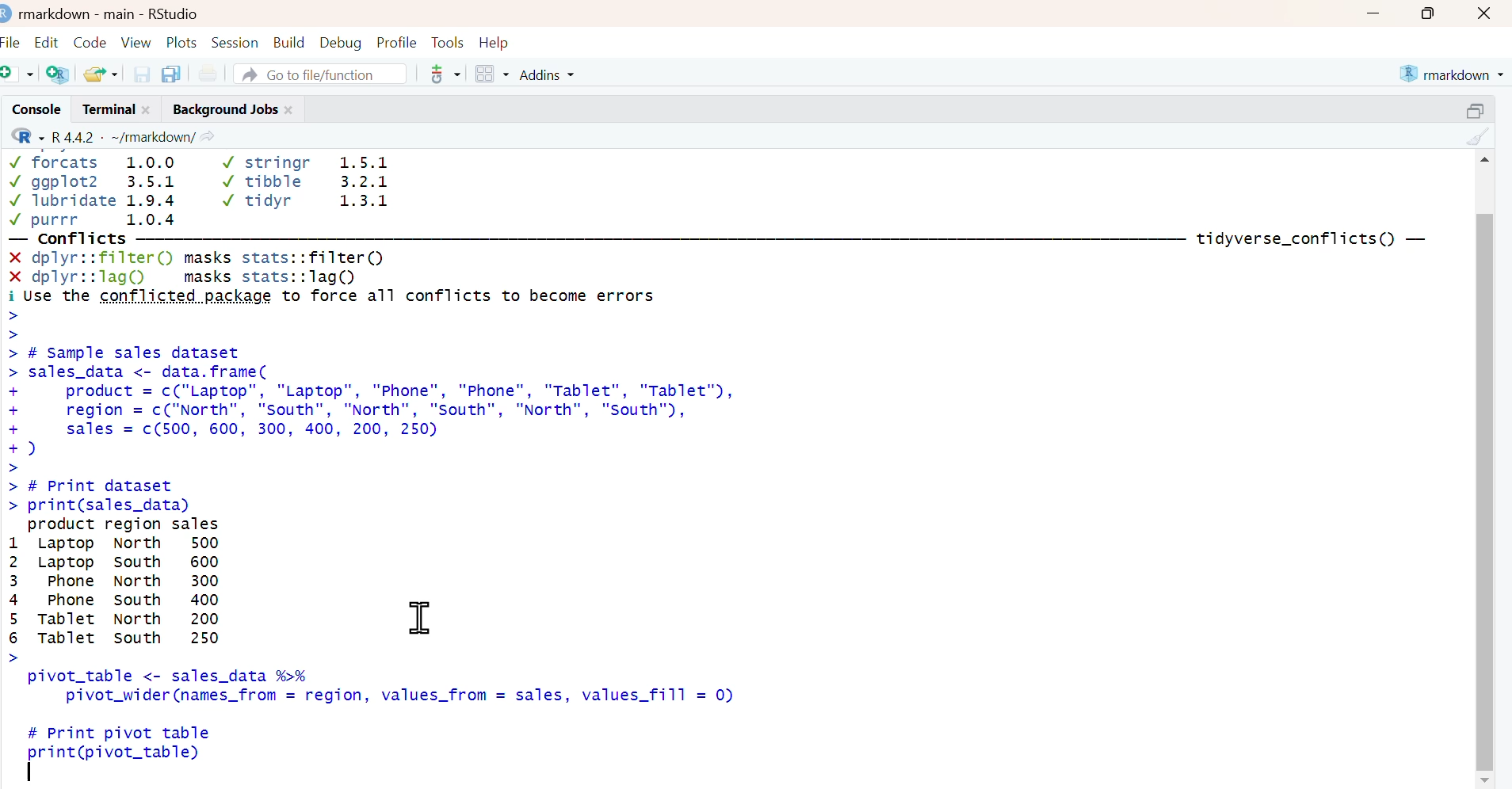 The width and height of the screenshot is (1512, 789). What do you see at coordinates (19, 73) in the screenshot?
I see `new file` at bounding box center [19, 73].